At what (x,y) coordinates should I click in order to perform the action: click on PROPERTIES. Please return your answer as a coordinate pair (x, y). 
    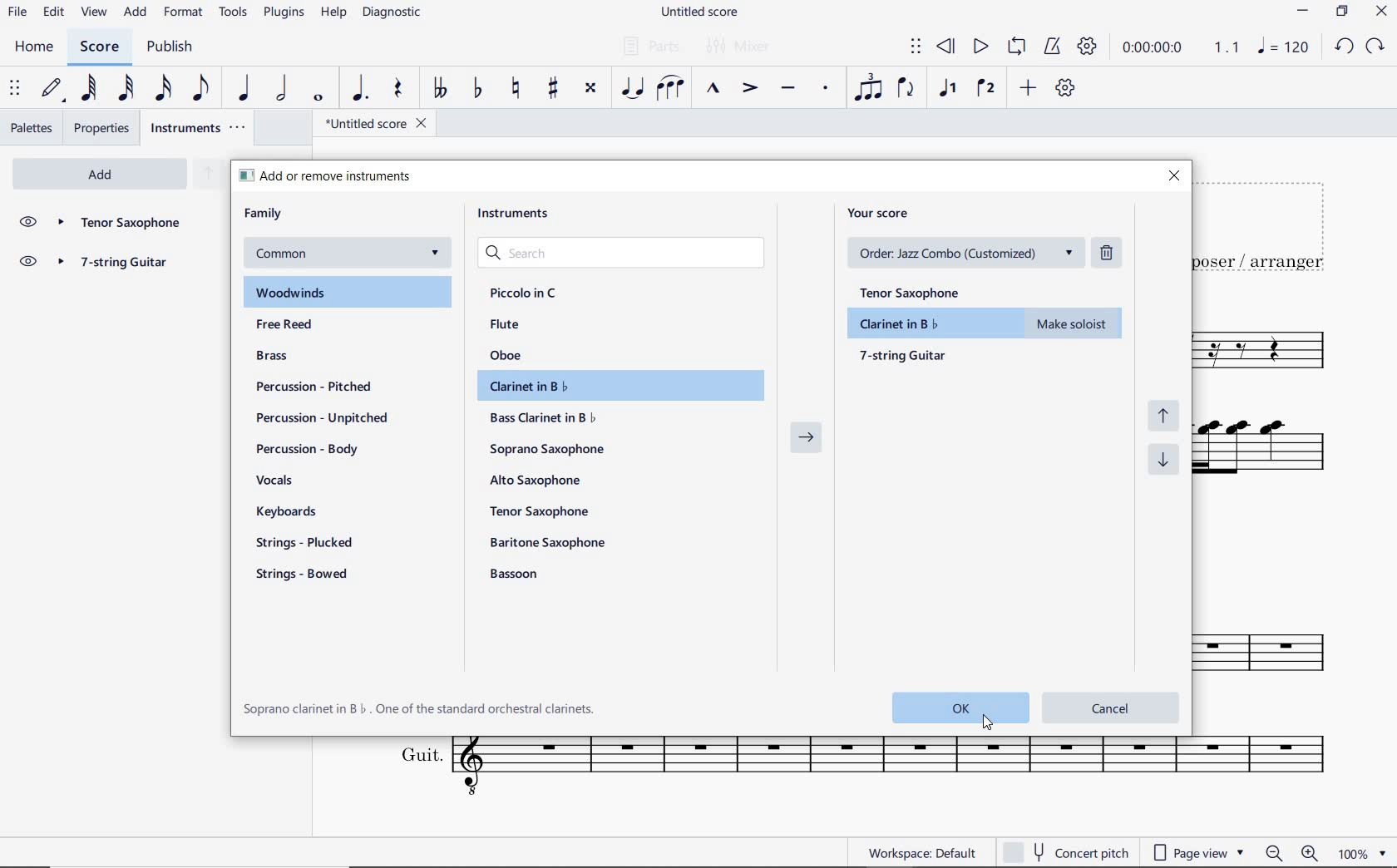
    Looking at the image, I should click on (105, 128).